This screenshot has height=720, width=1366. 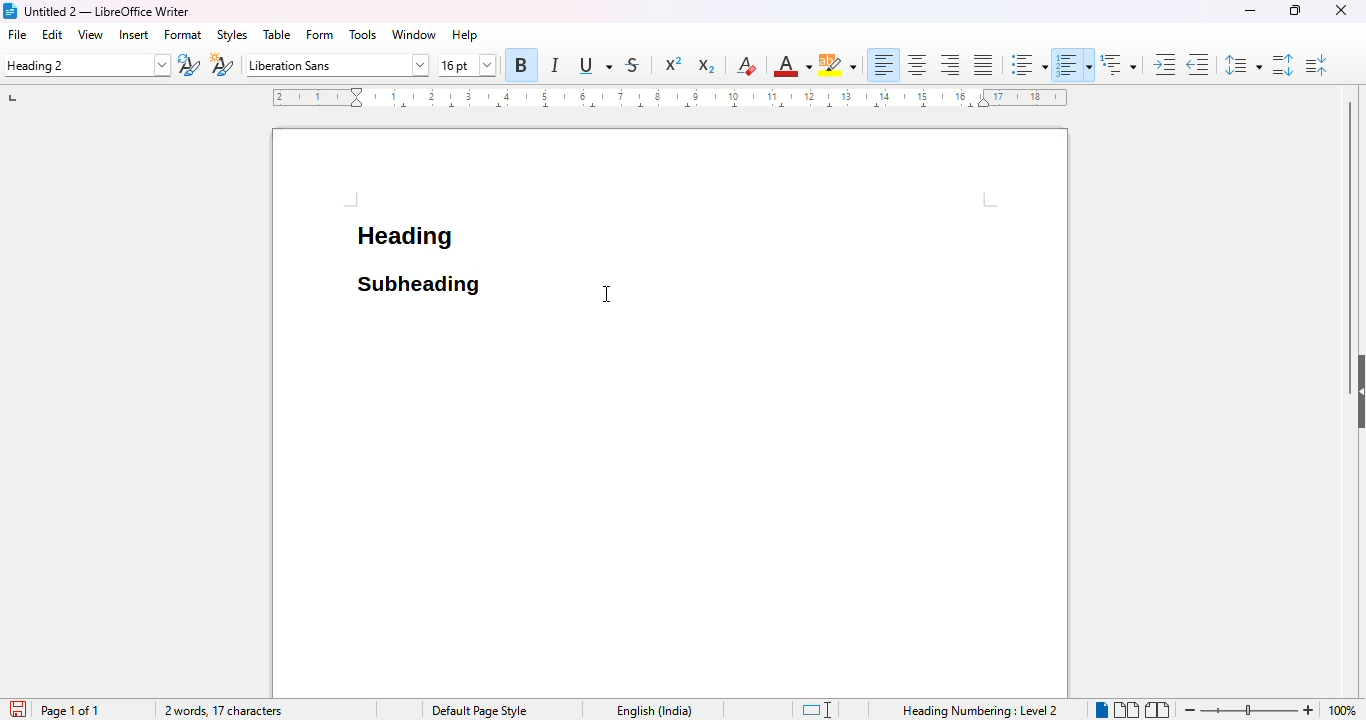 What do you see at coordinates (17, 34) in the screenshot?
I see `file` at bounding box center [17, 34].